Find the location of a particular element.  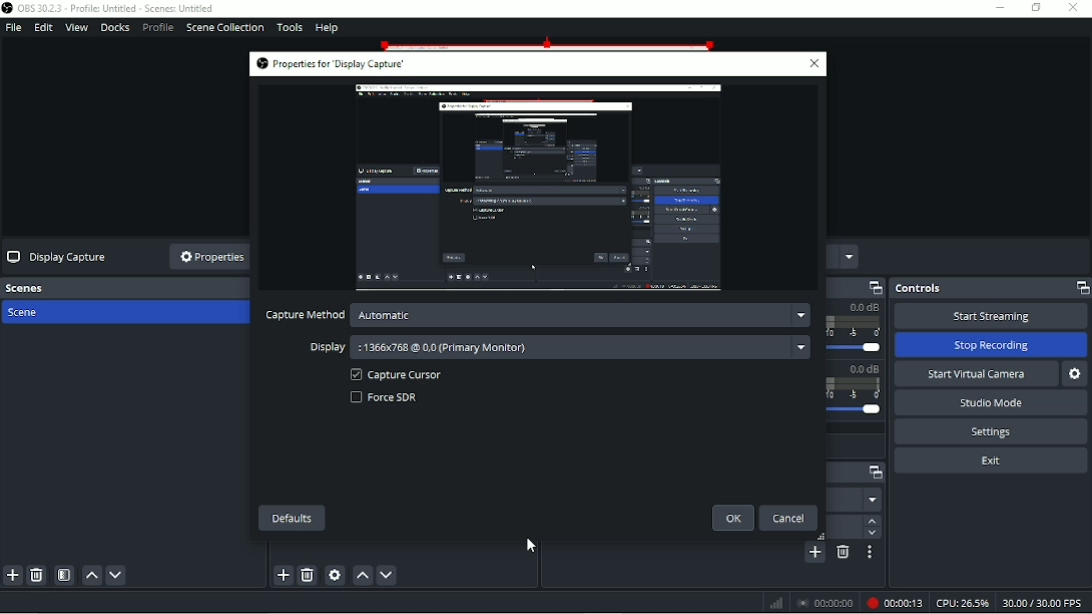

Down arrow is located at coordinates (864, 534).